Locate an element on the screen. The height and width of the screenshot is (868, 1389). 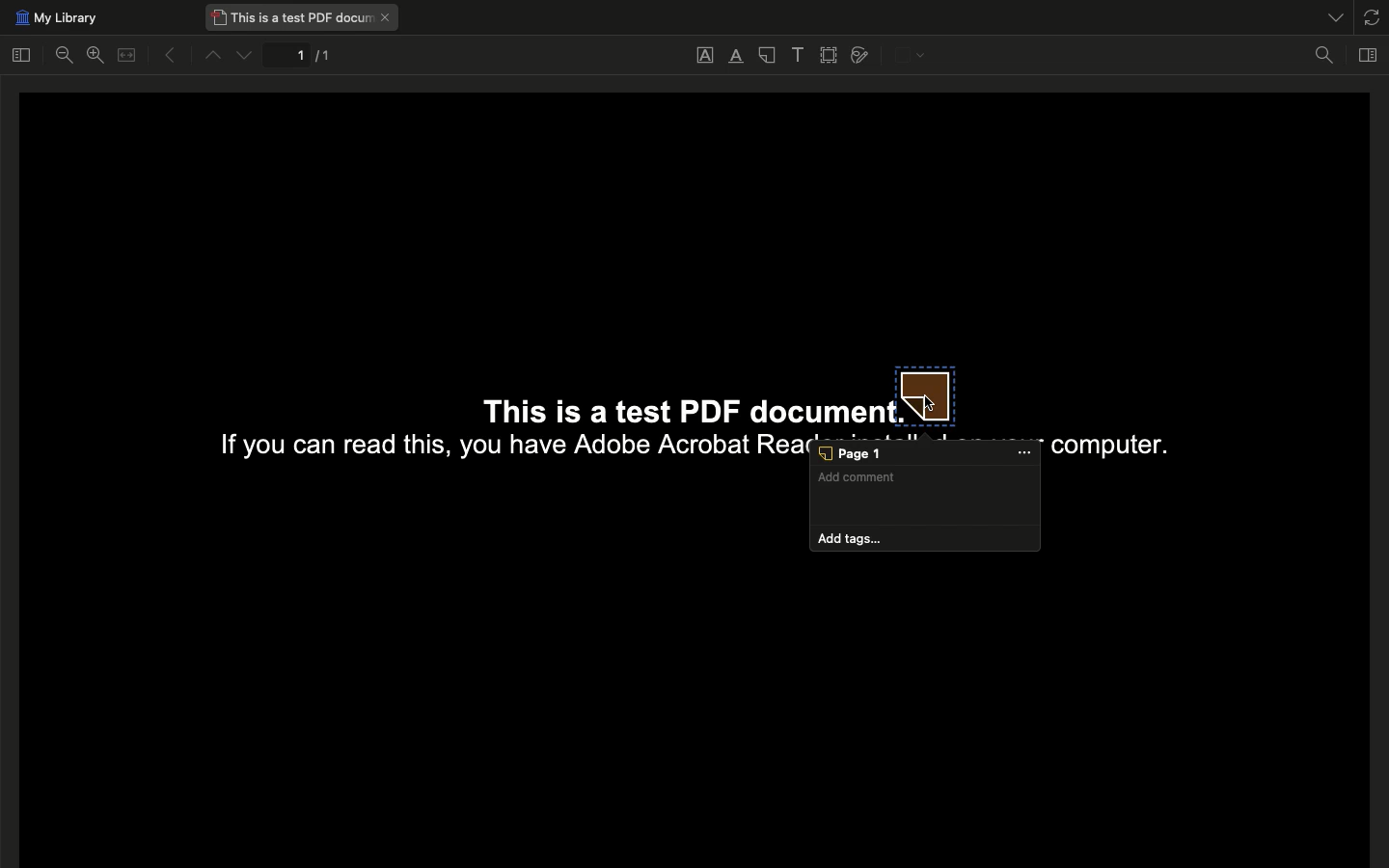
List all tabs is located at coordinates (1330, 14).